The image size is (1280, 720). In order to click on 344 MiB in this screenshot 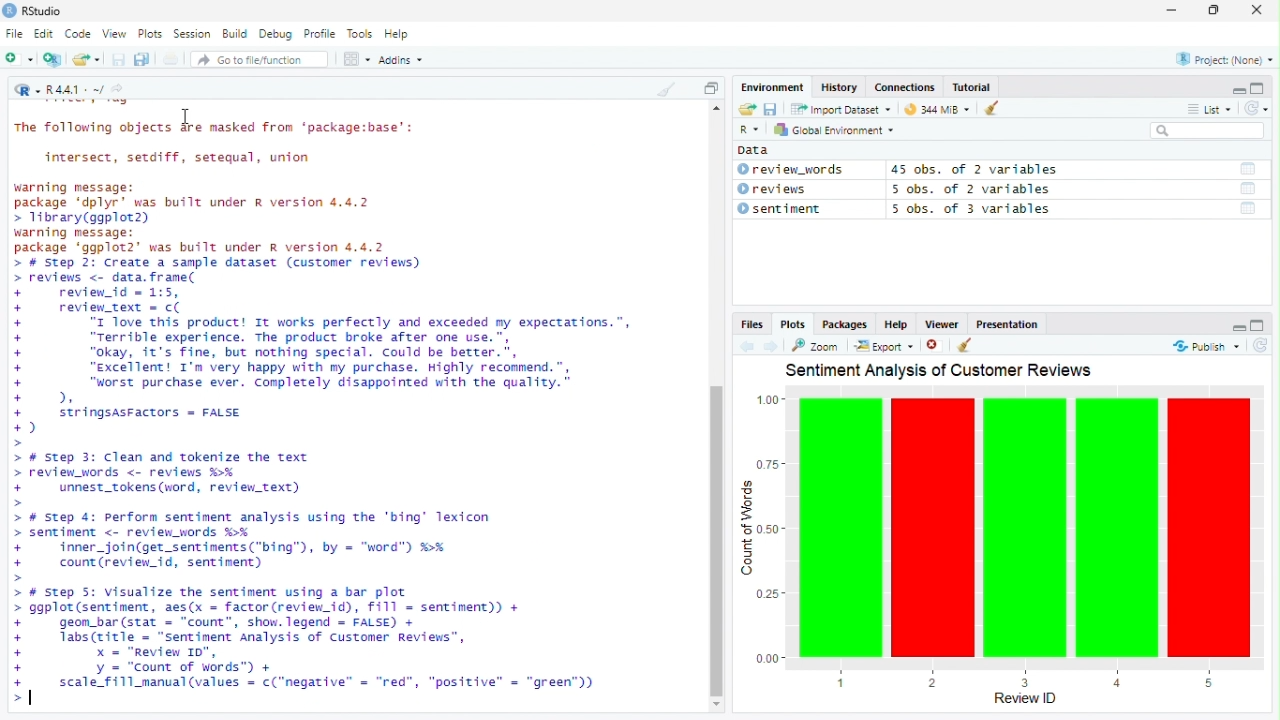, I will do `click(934, 107)`.